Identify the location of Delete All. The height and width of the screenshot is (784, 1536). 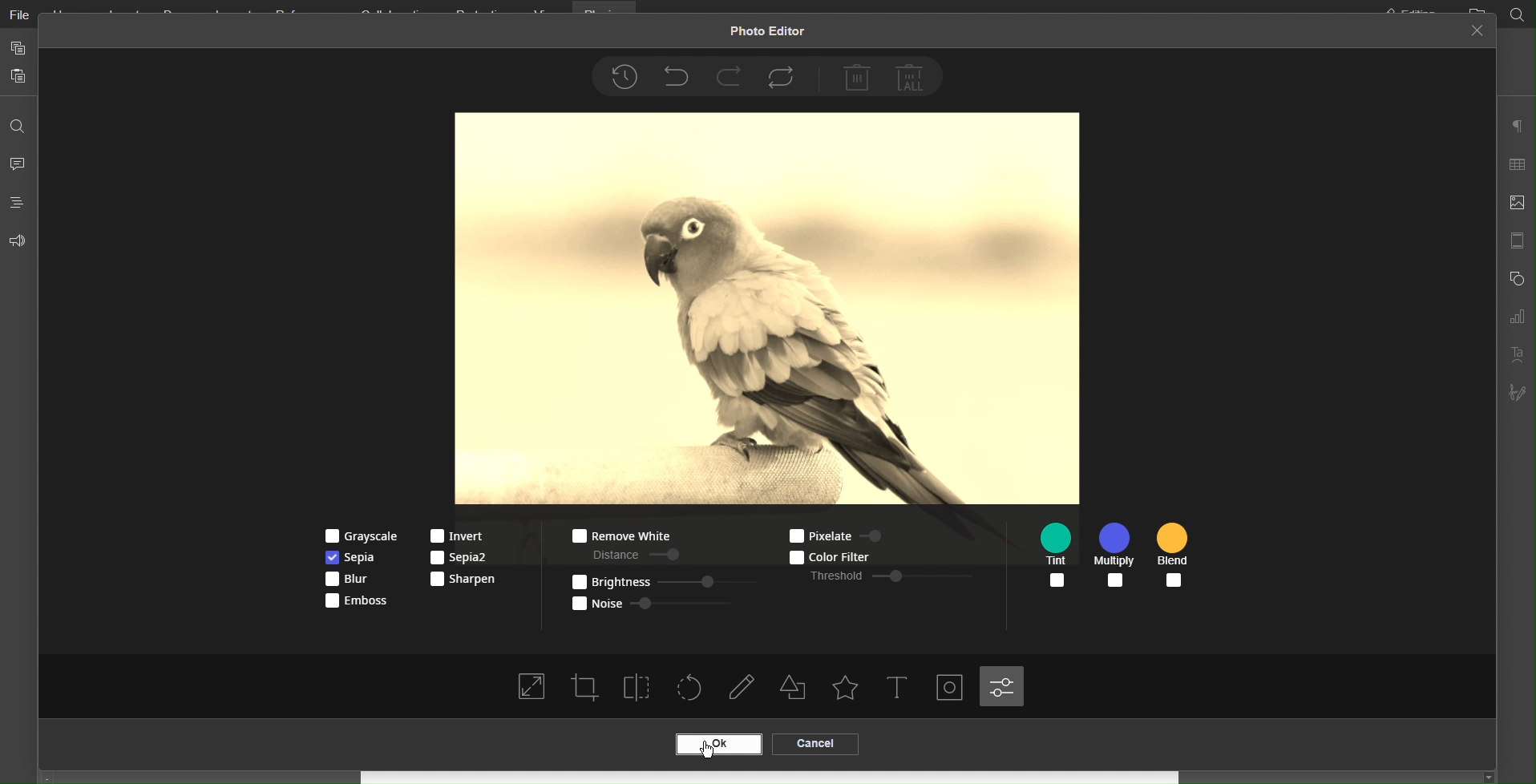
(913, 76).